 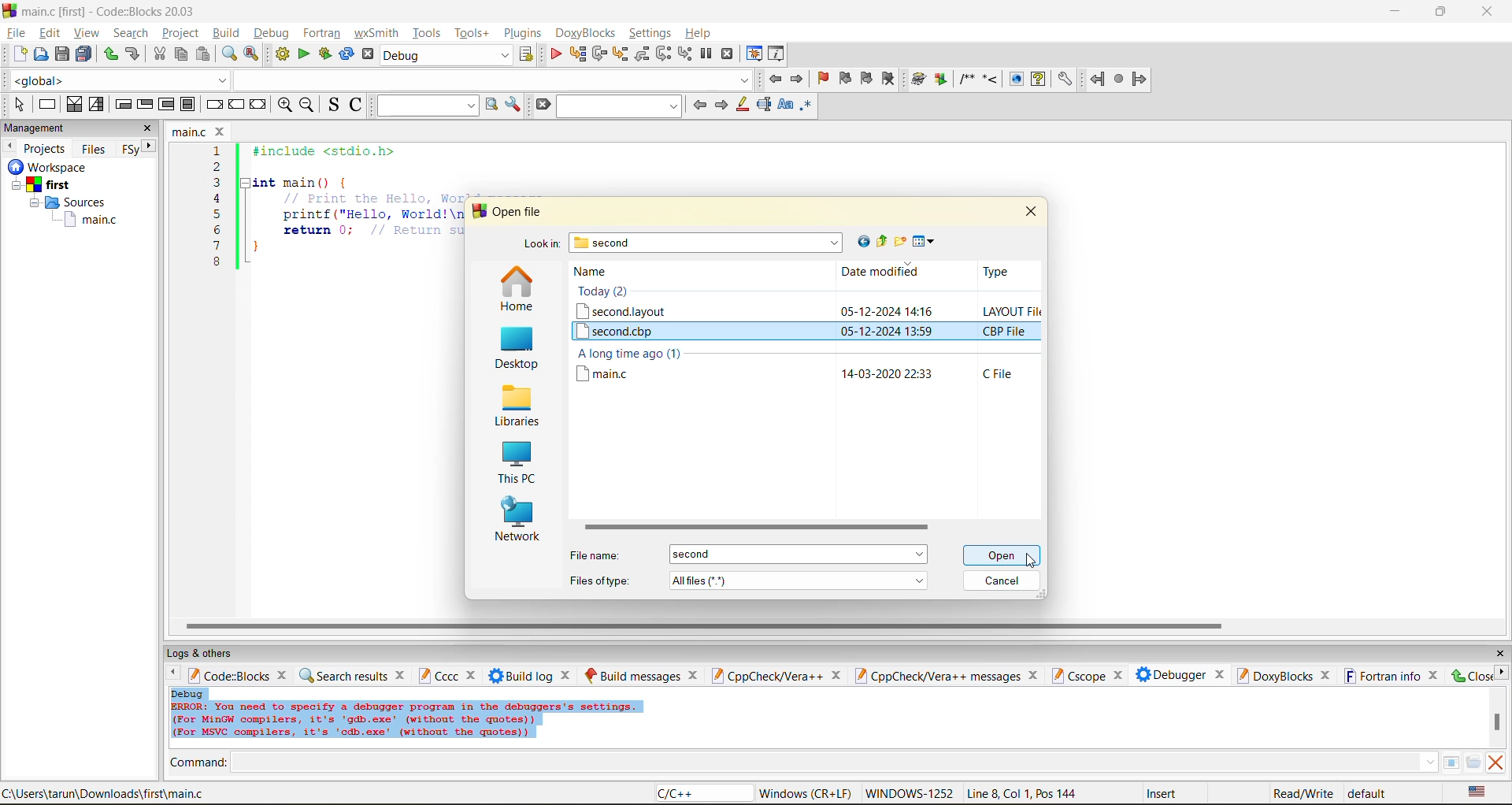 What do you see at coordinates (72, 202) in the screenshot?
I see `Sources` at bounding box center [72, 202].